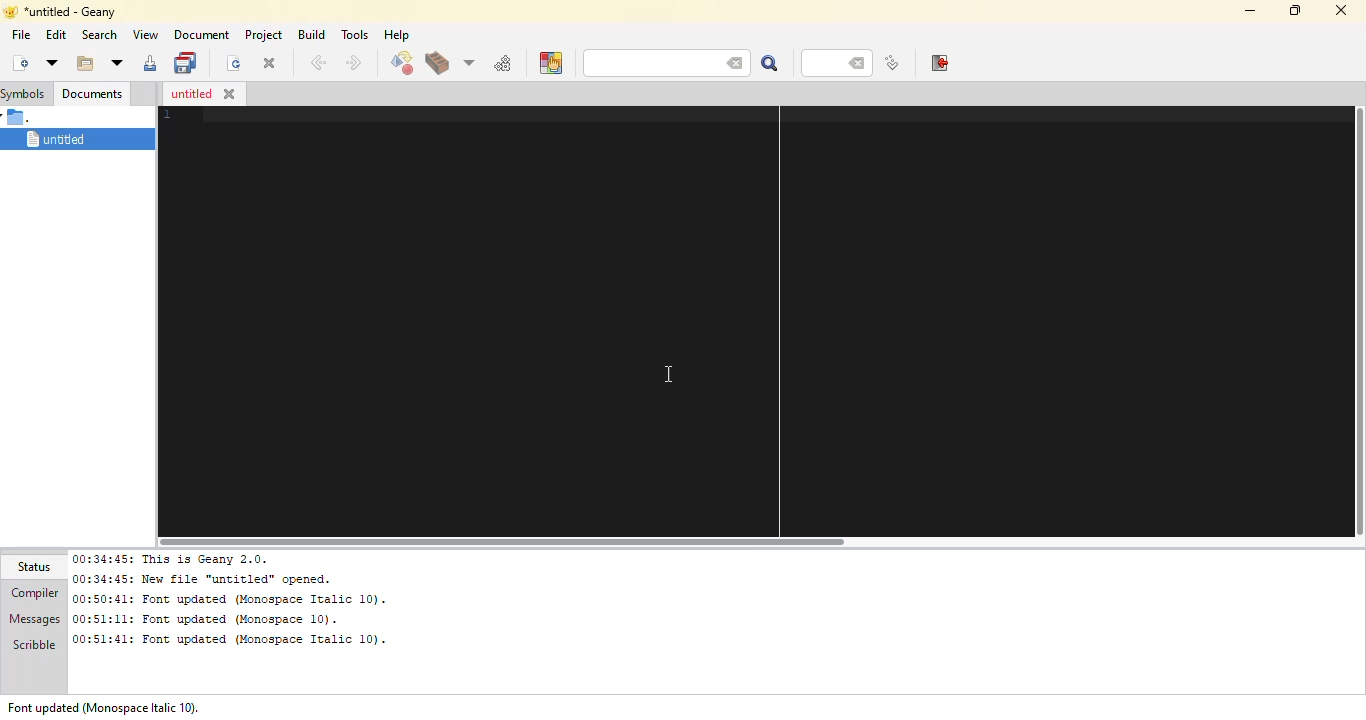  Describe the element at coordinates (81, 11) in the screenshot. I see `*untitled - geany` at that location.